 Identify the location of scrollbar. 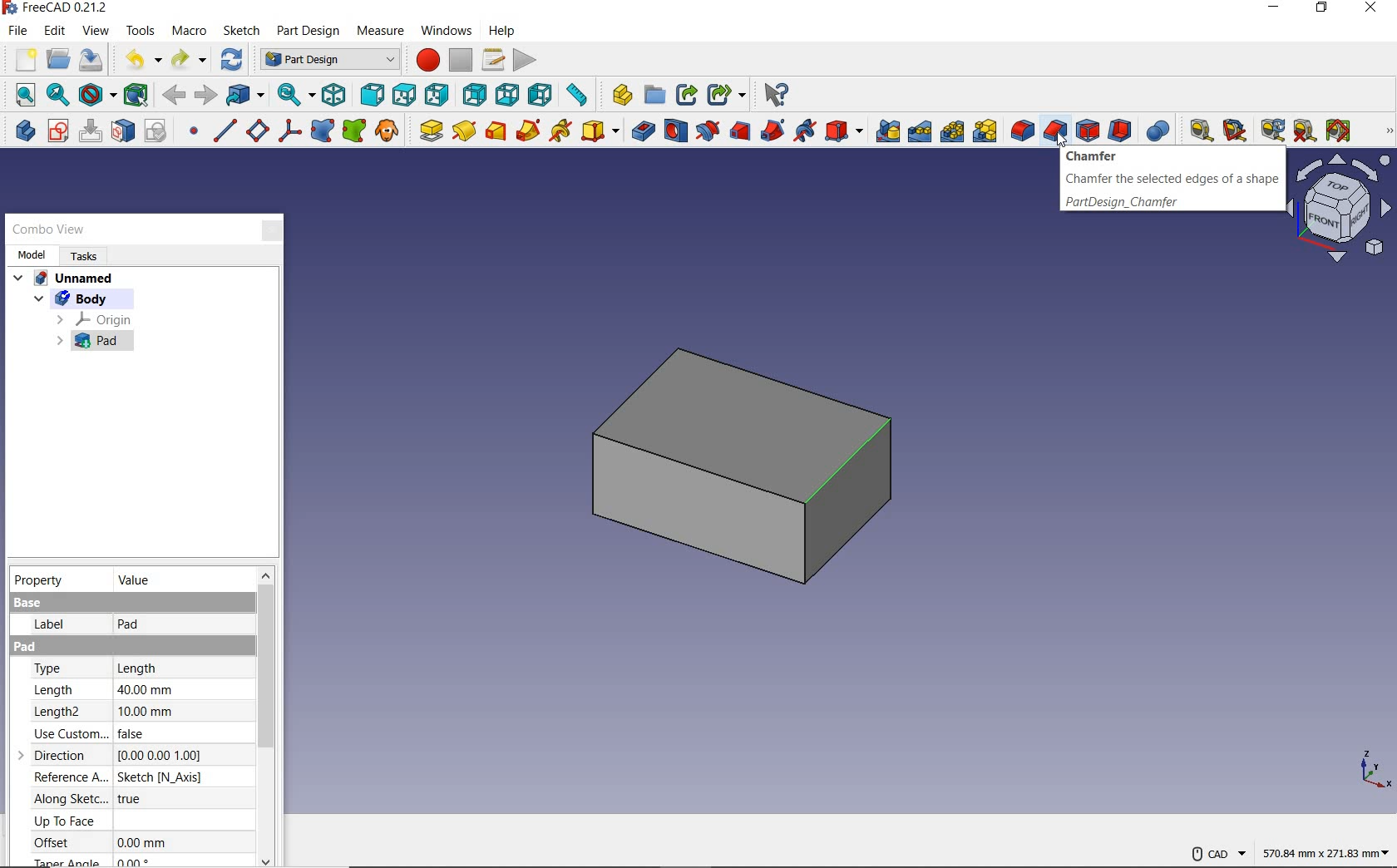
(266, 718).